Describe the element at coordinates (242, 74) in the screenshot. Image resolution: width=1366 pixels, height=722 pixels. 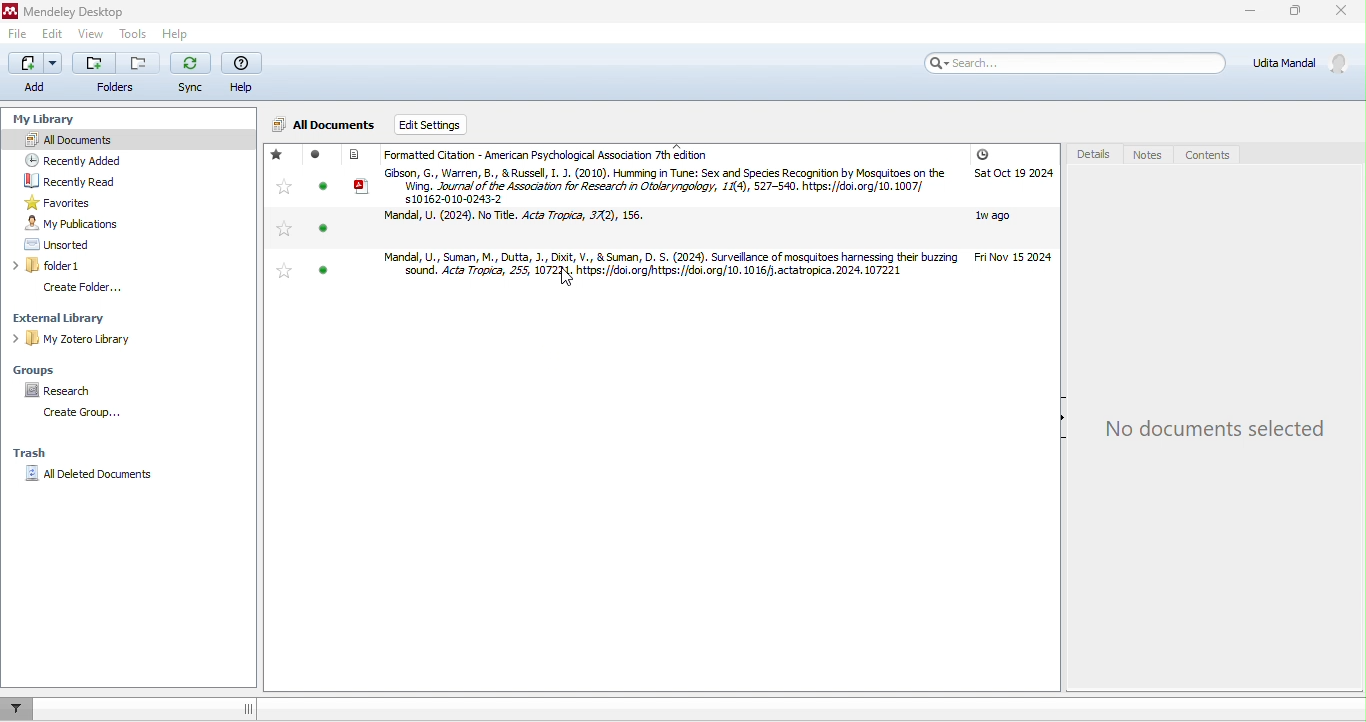
I see `help` at that location.